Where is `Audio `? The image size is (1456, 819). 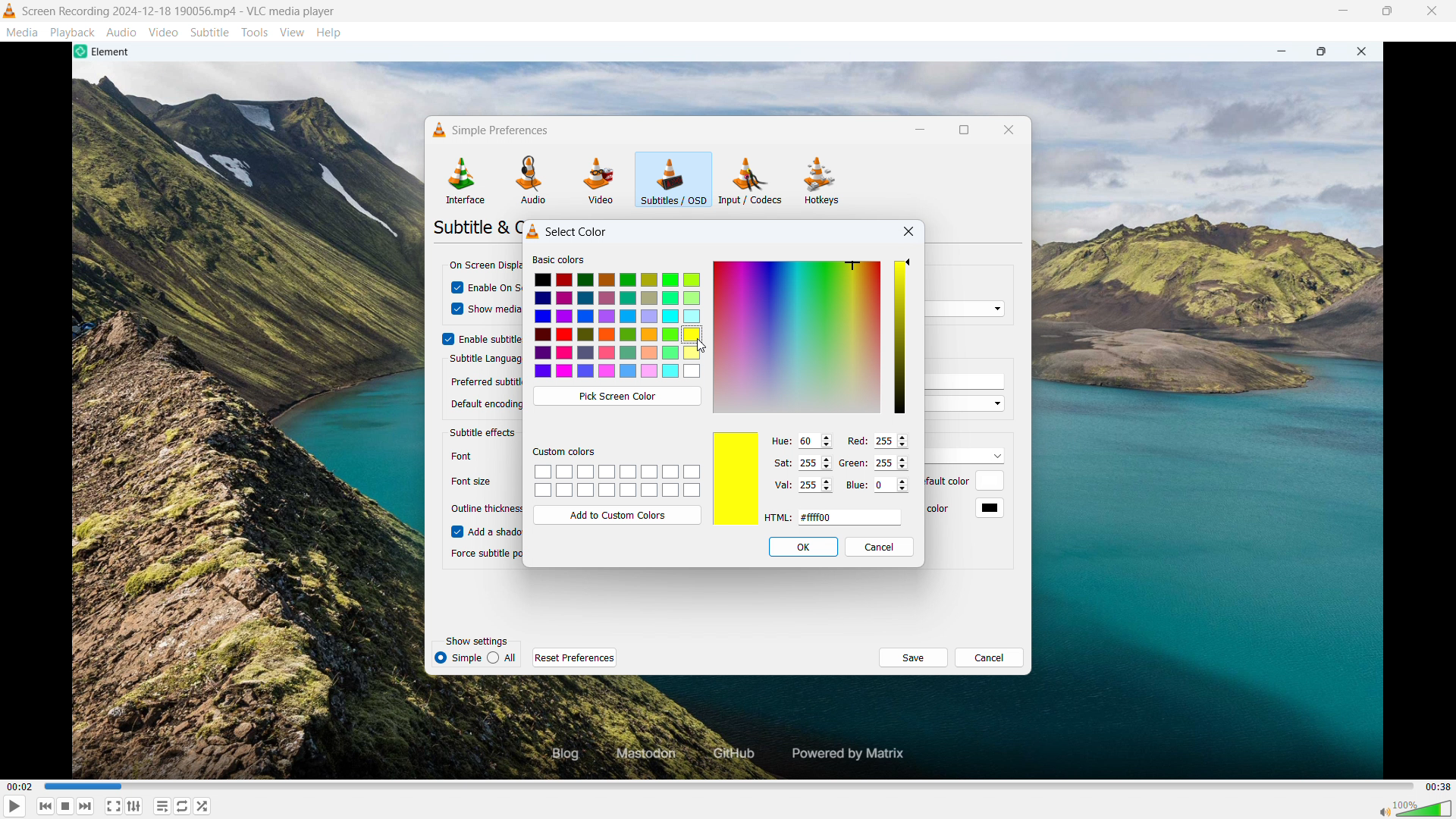
Audio  is located at coordinates (122, 32).